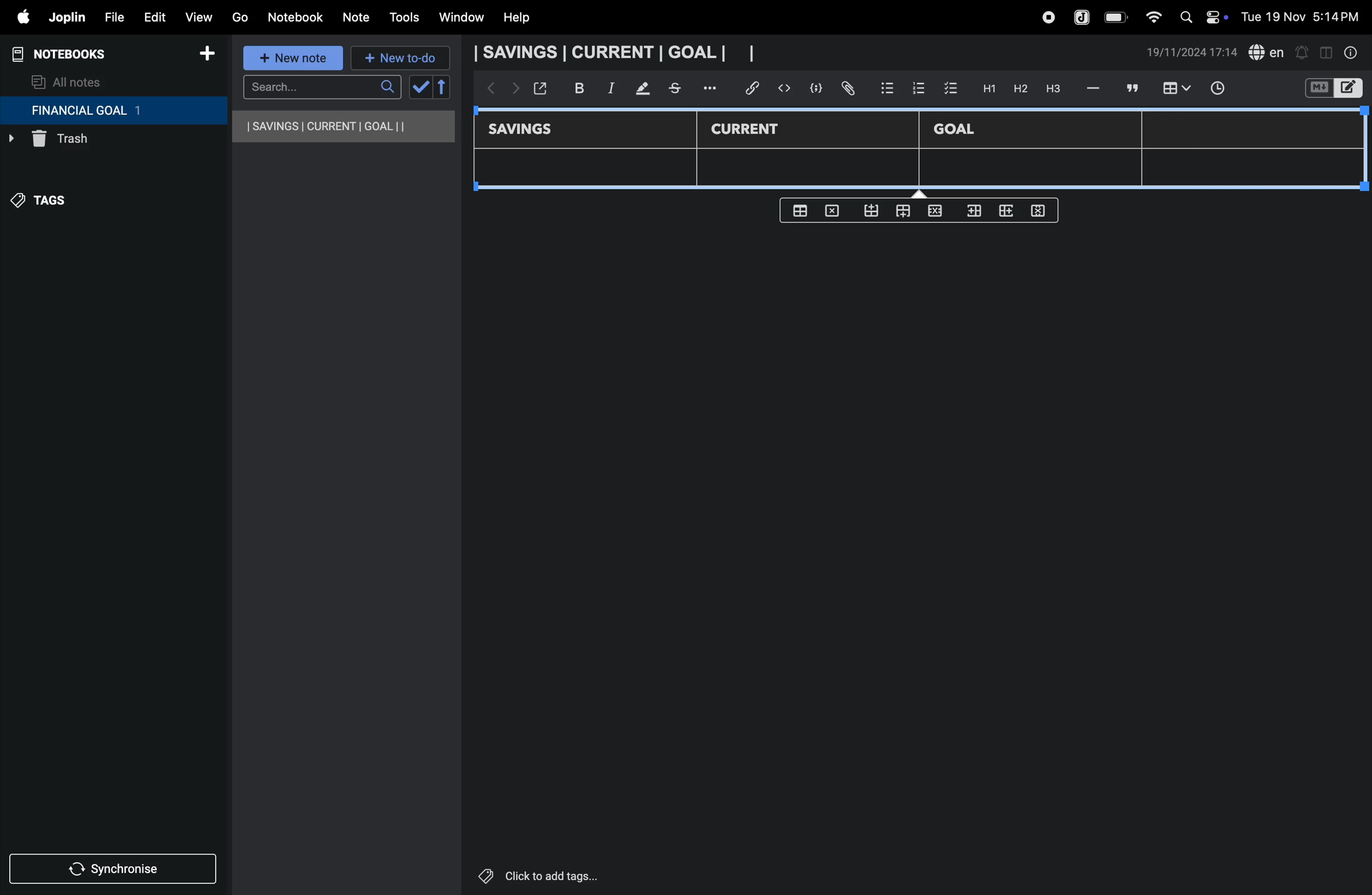  Describe the element at coordinates (987, 89) in the screenshot. I see `H1` at that location.